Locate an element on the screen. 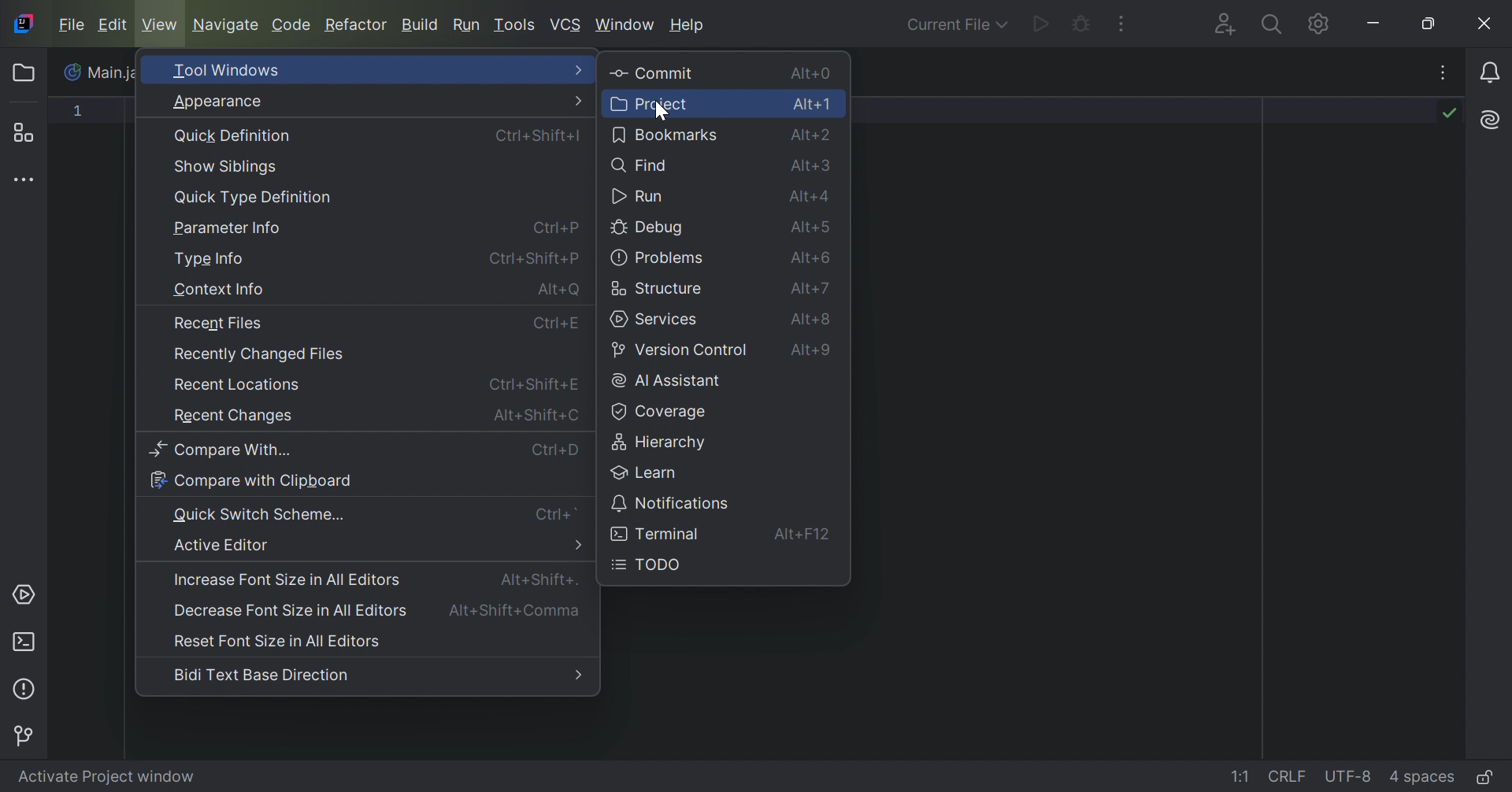  Ctrl+E is located at coordinates (557, 325).